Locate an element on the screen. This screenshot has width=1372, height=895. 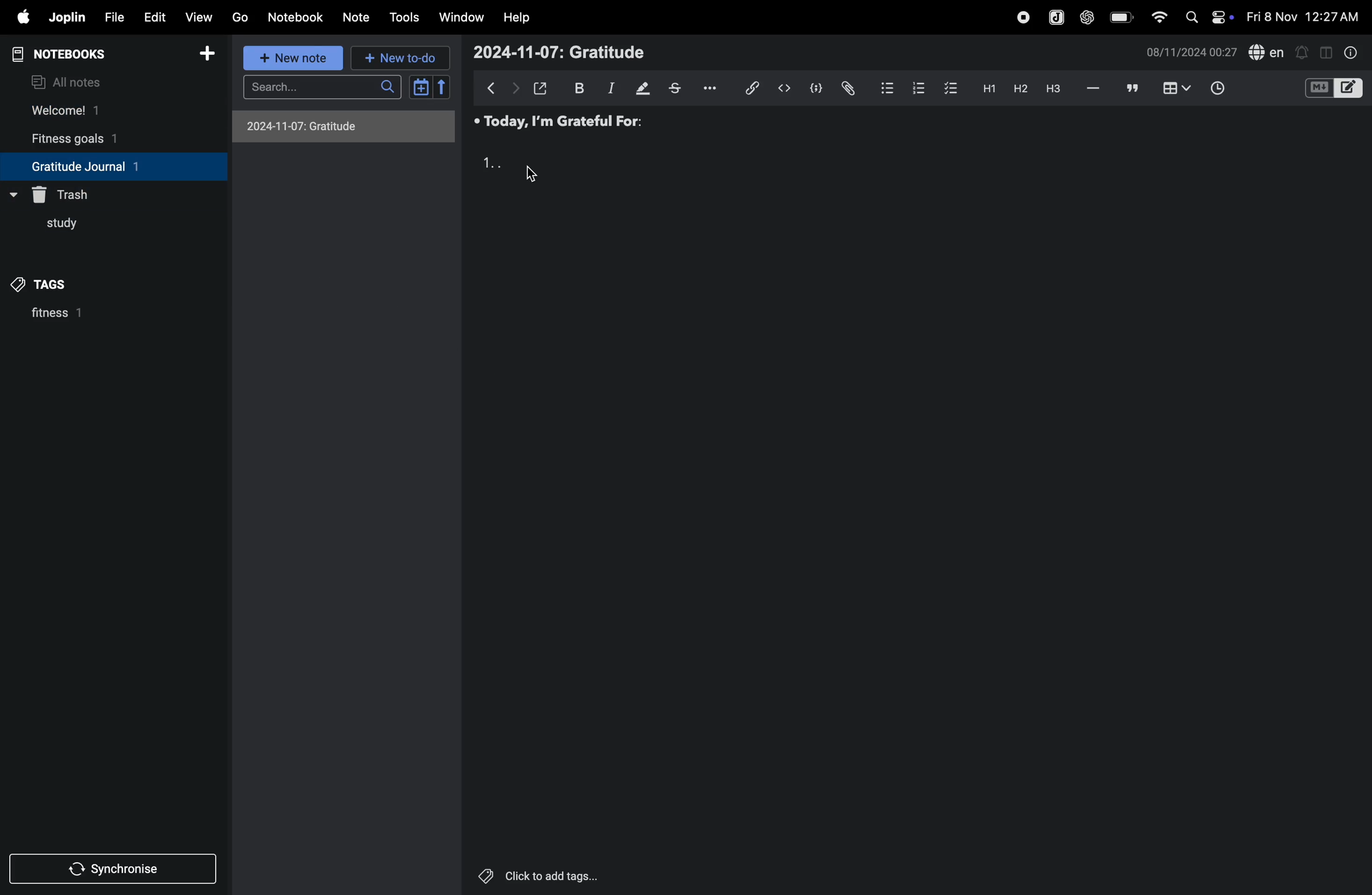
chatgpt is located at coordinates (1086, 18).